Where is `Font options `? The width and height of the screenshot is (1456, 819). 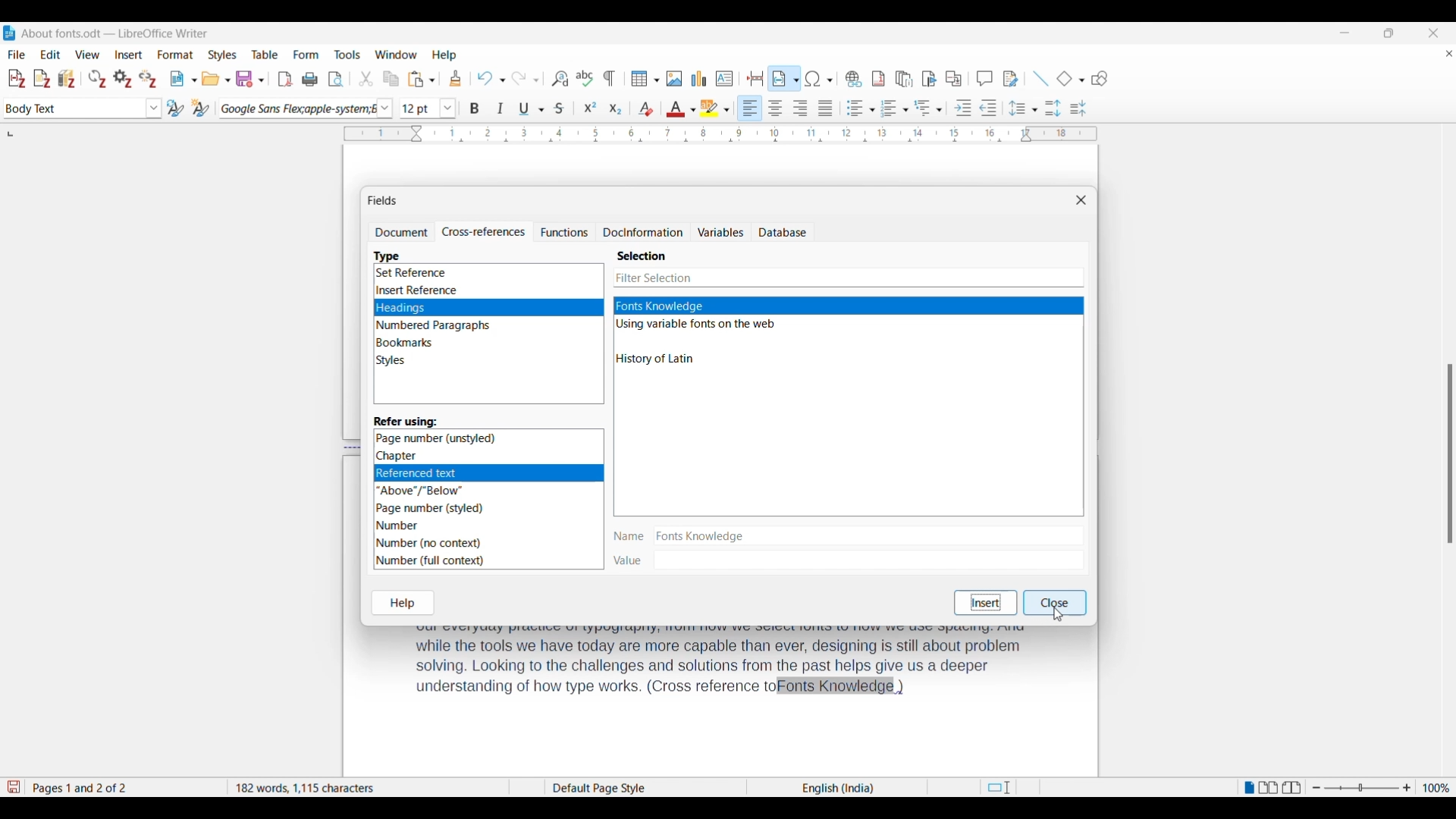
Font options  is located at coordinates (384, 109).